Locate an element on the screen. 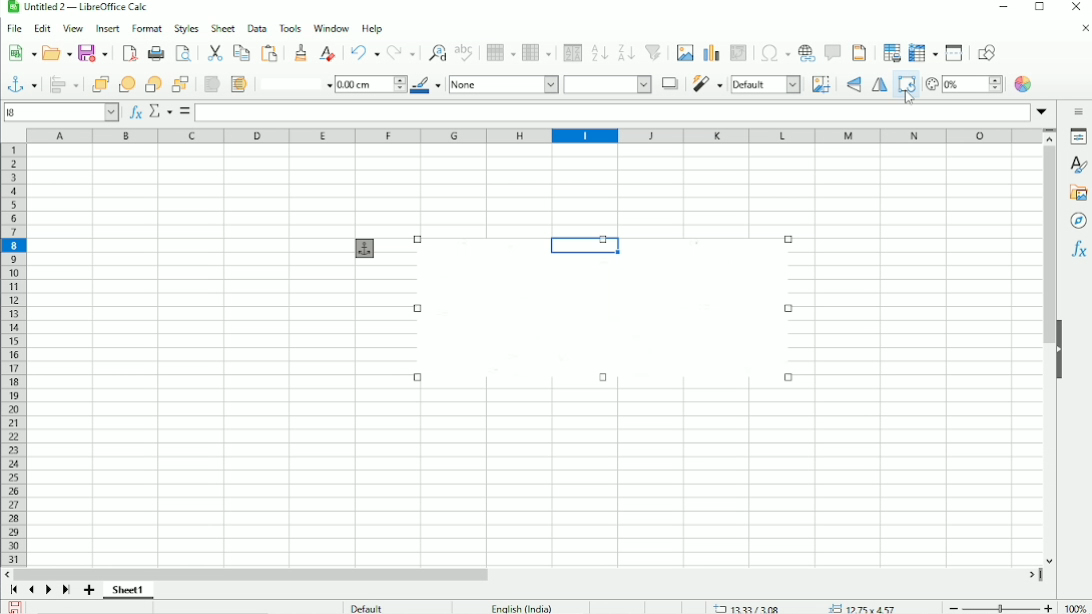 Image resolution: width=1092 pixels, height=614 pixels. Show draw functions is located at coordinates (987, 52).